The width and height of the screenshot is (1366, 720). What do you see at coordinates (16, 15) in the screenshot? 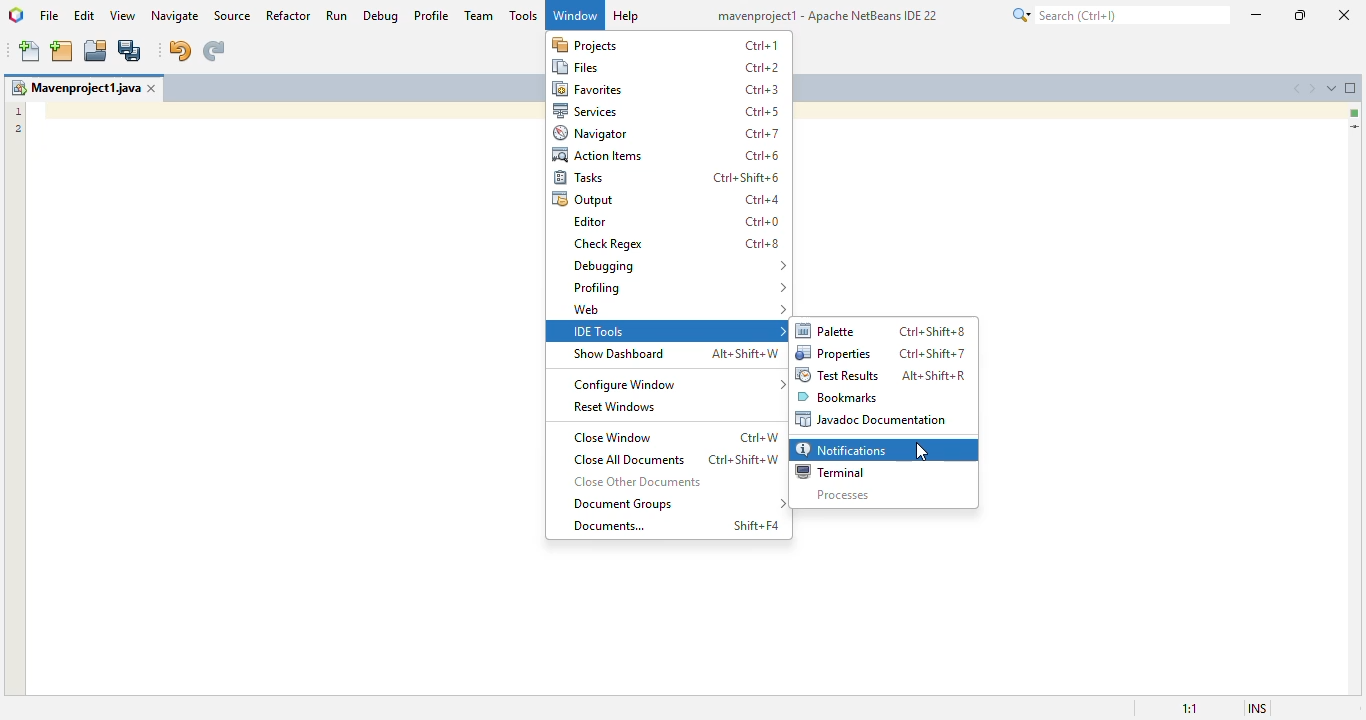
I see `logo` at bounding box center [16, 15].